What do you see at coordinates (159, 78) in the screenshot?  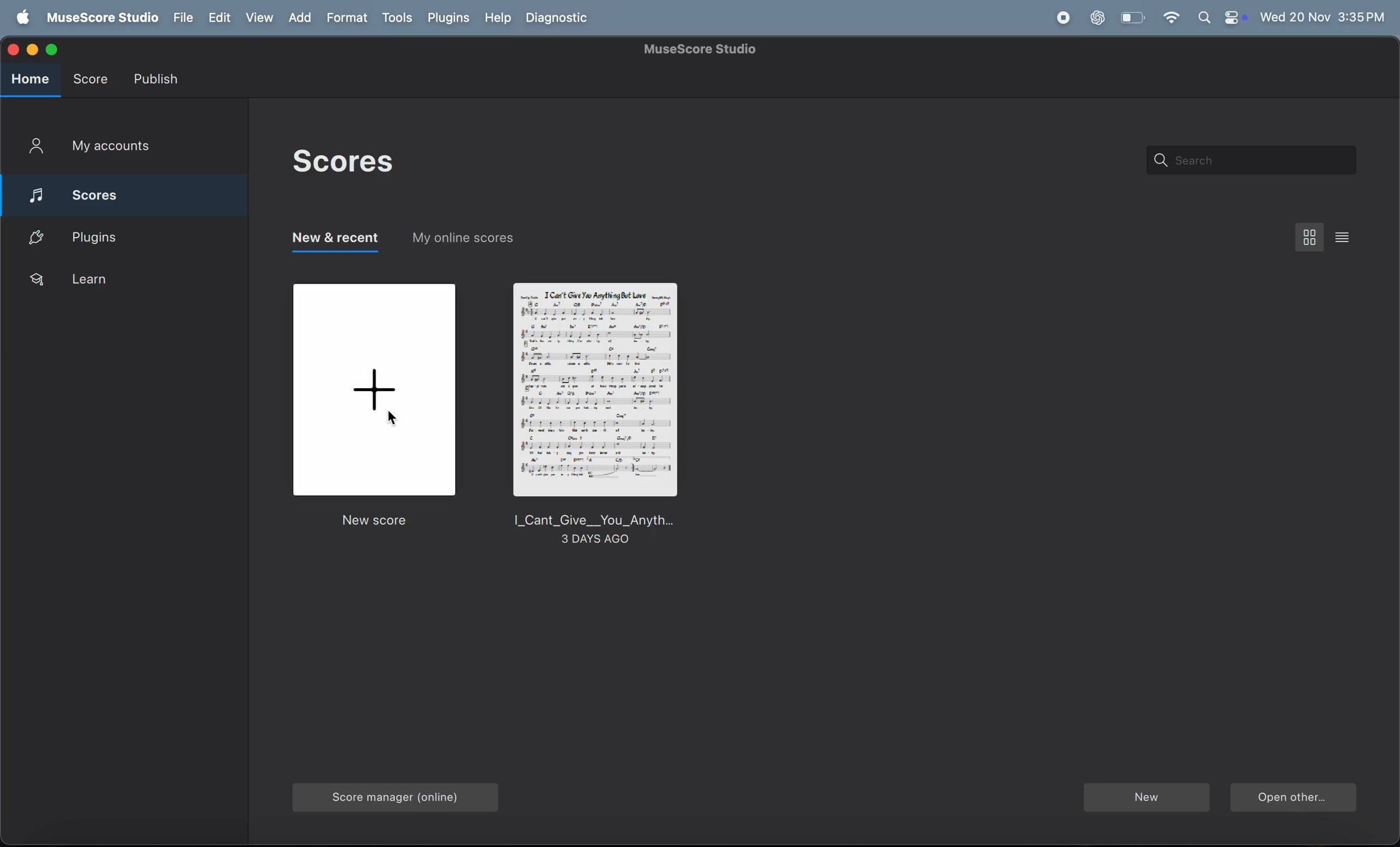 I see `publish` at bounding box center [159, 78].